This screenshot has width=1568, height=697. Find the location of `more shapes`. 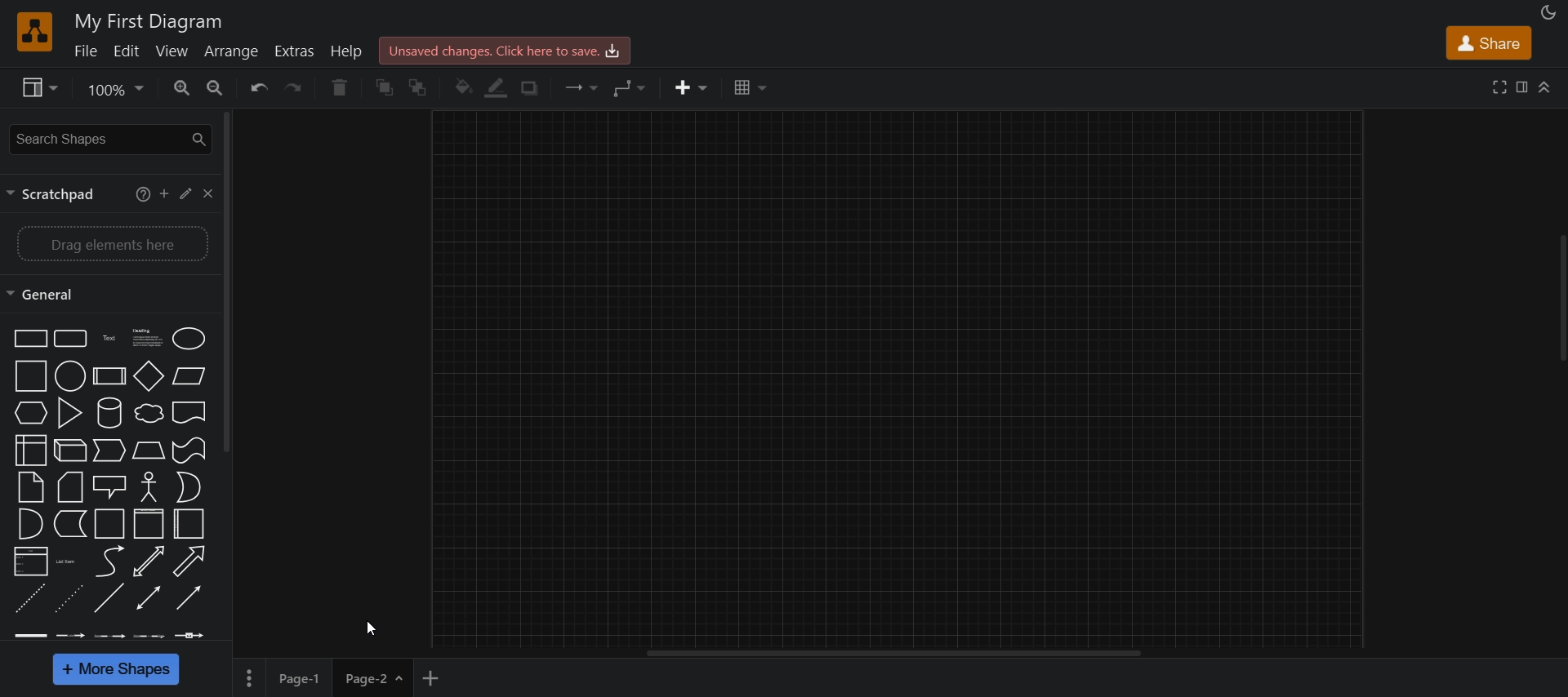

more shapes is located at coordinates (115, 671).